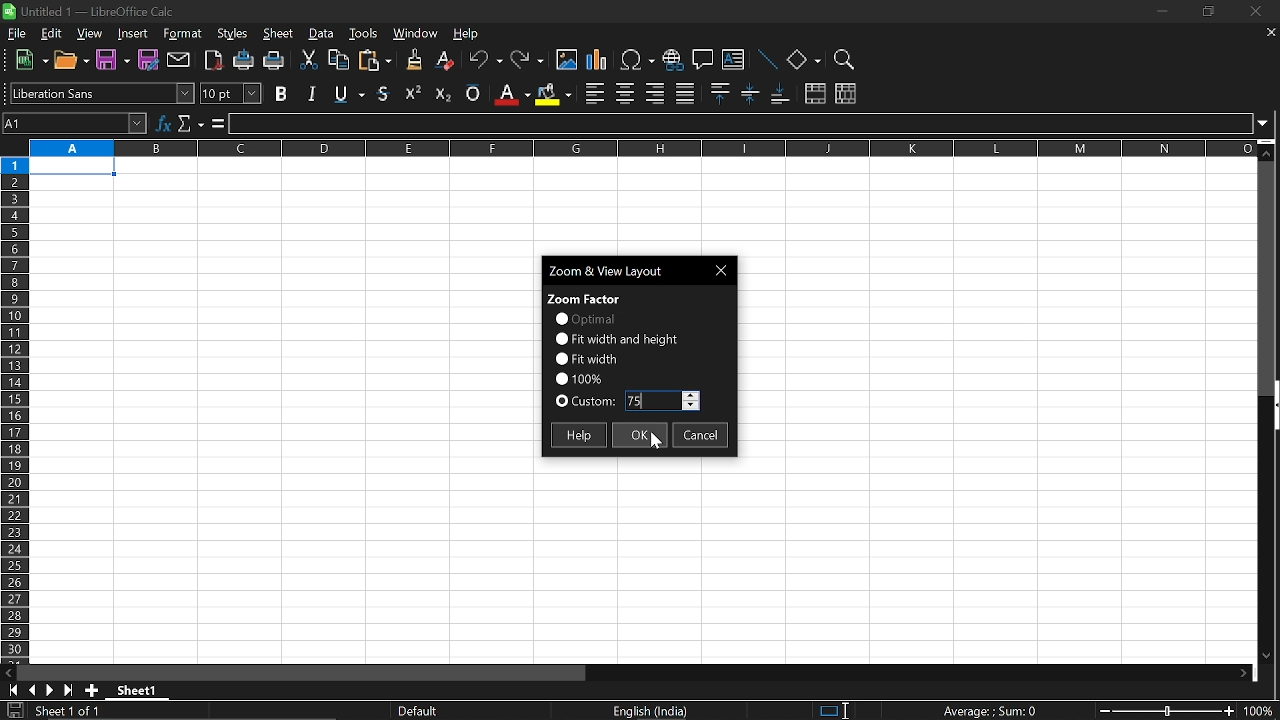 Image resolution: width=1280 pixels, height=720 pixels. I want to click on sheet, so click(279, 35).